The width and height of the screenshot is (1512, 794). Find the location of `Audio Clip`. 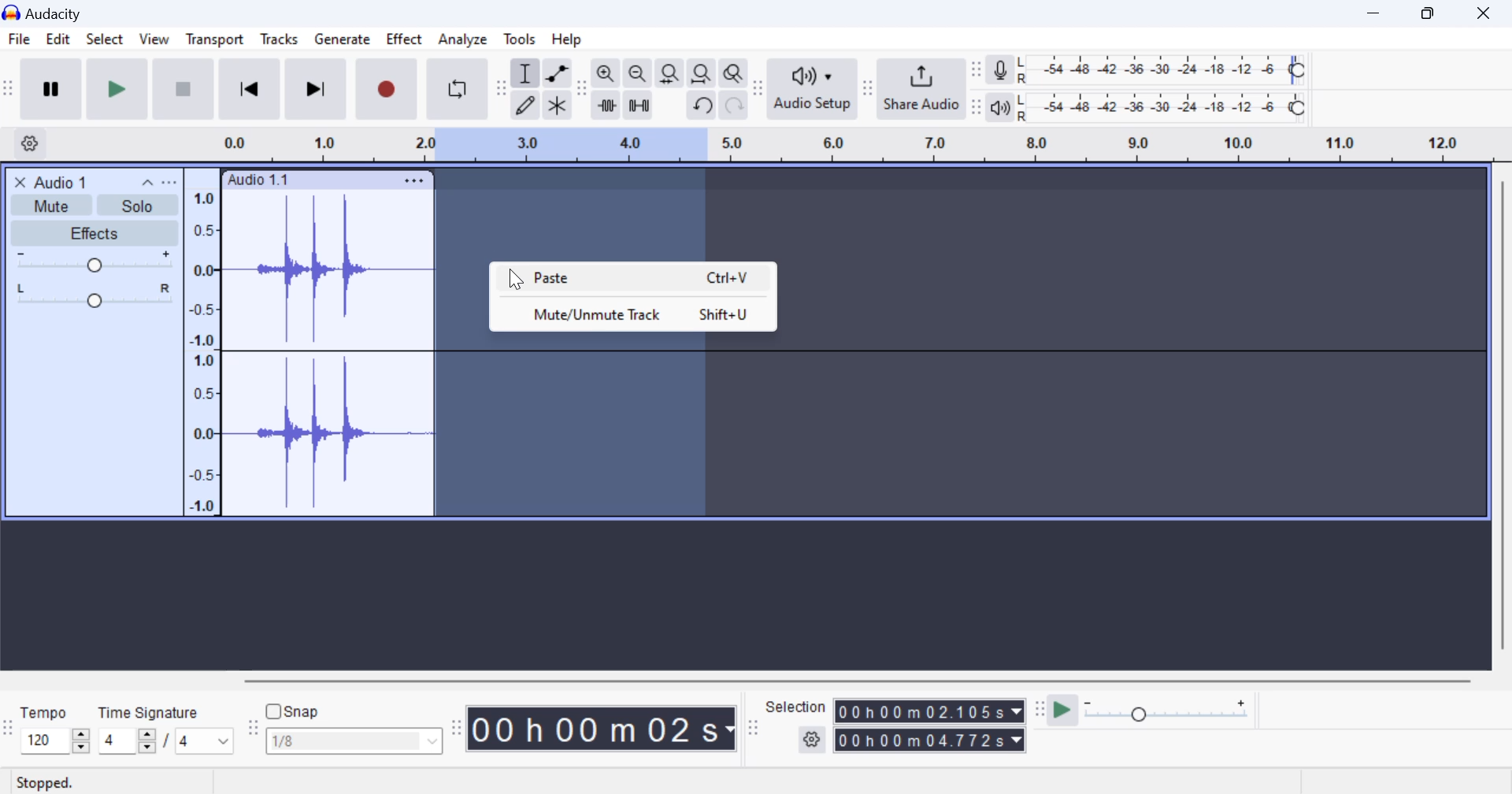

Audio Clip is located at coordinates (327, 354).